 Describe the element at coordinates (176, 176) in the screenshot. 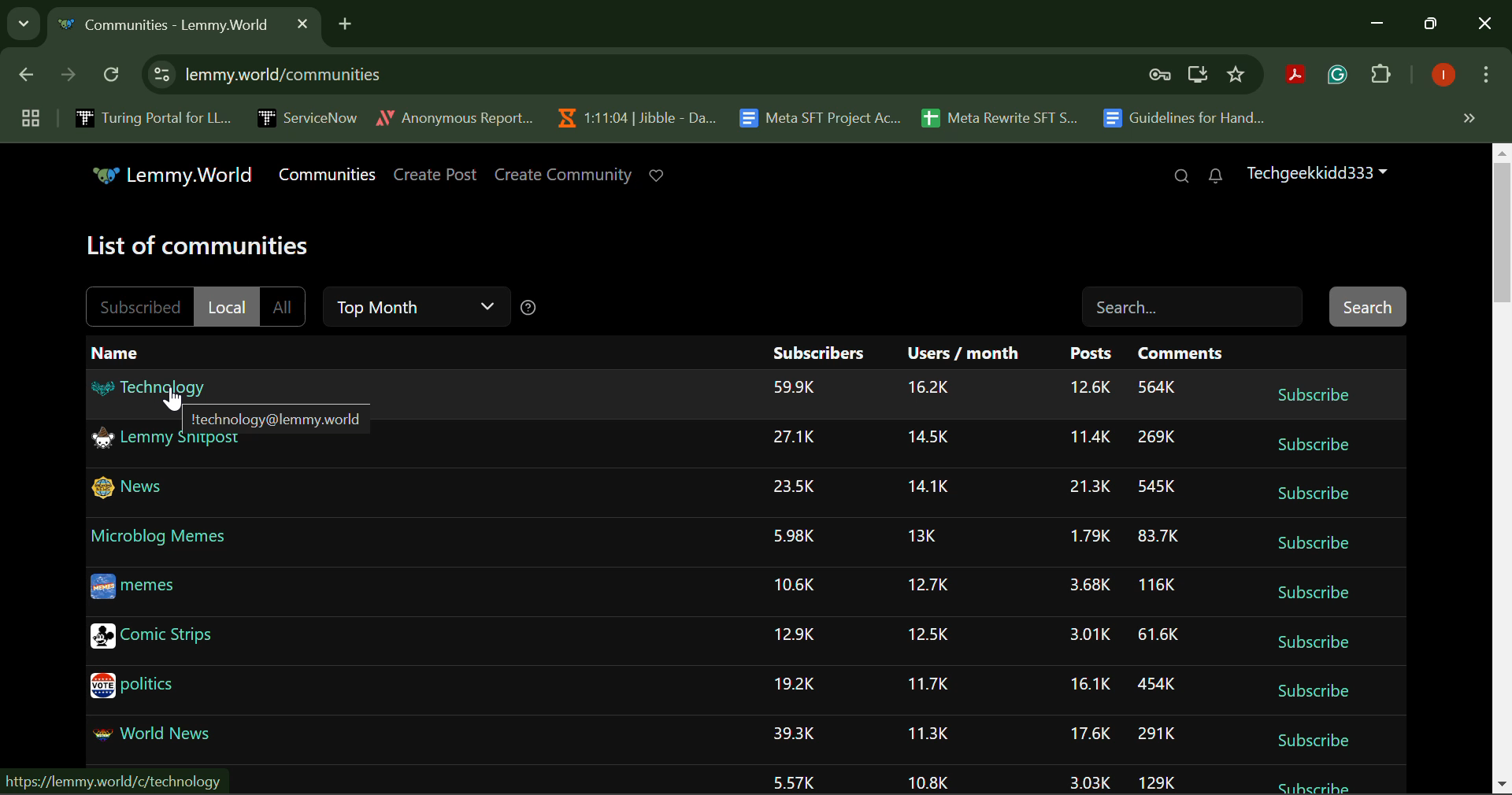

I see `Lemmy.World` at that location.